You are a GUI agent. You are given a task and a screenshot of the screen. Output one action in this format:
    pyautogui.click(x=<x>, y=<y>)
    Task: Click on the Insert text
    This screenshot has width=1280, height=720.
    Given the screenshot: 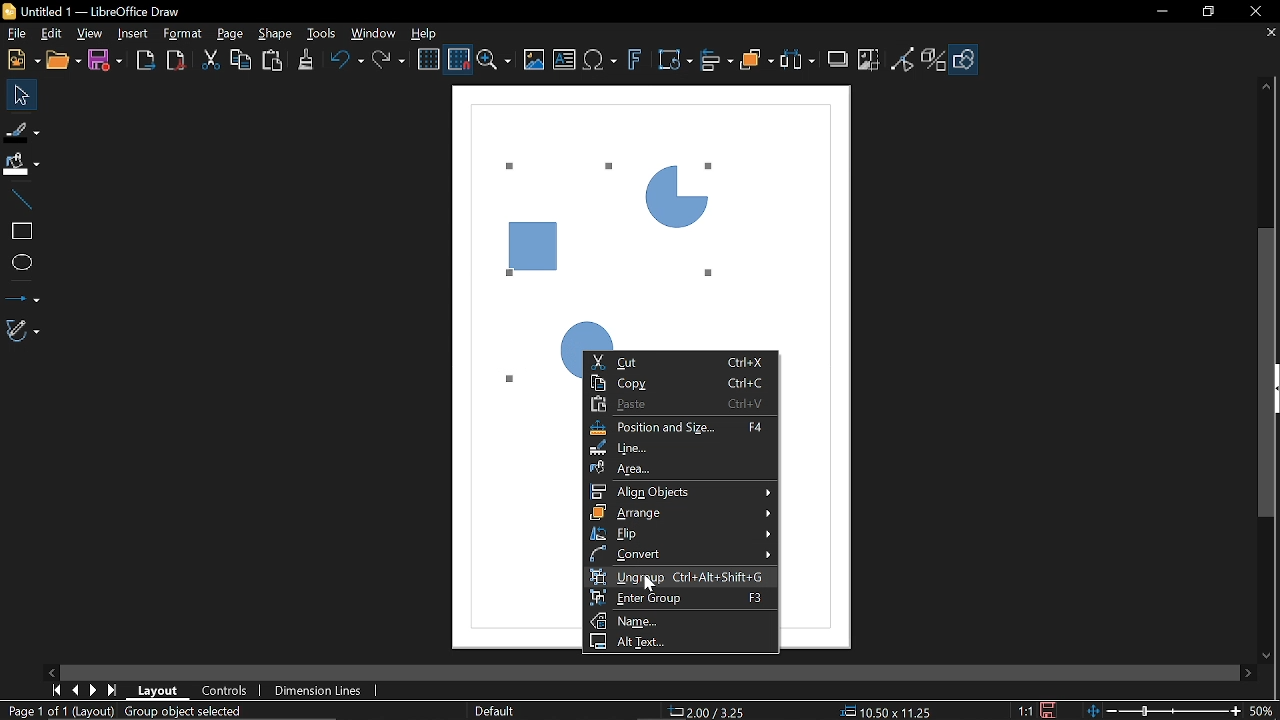 What is the action you would take?
    pyautogui.click(x=563, y=60)
    